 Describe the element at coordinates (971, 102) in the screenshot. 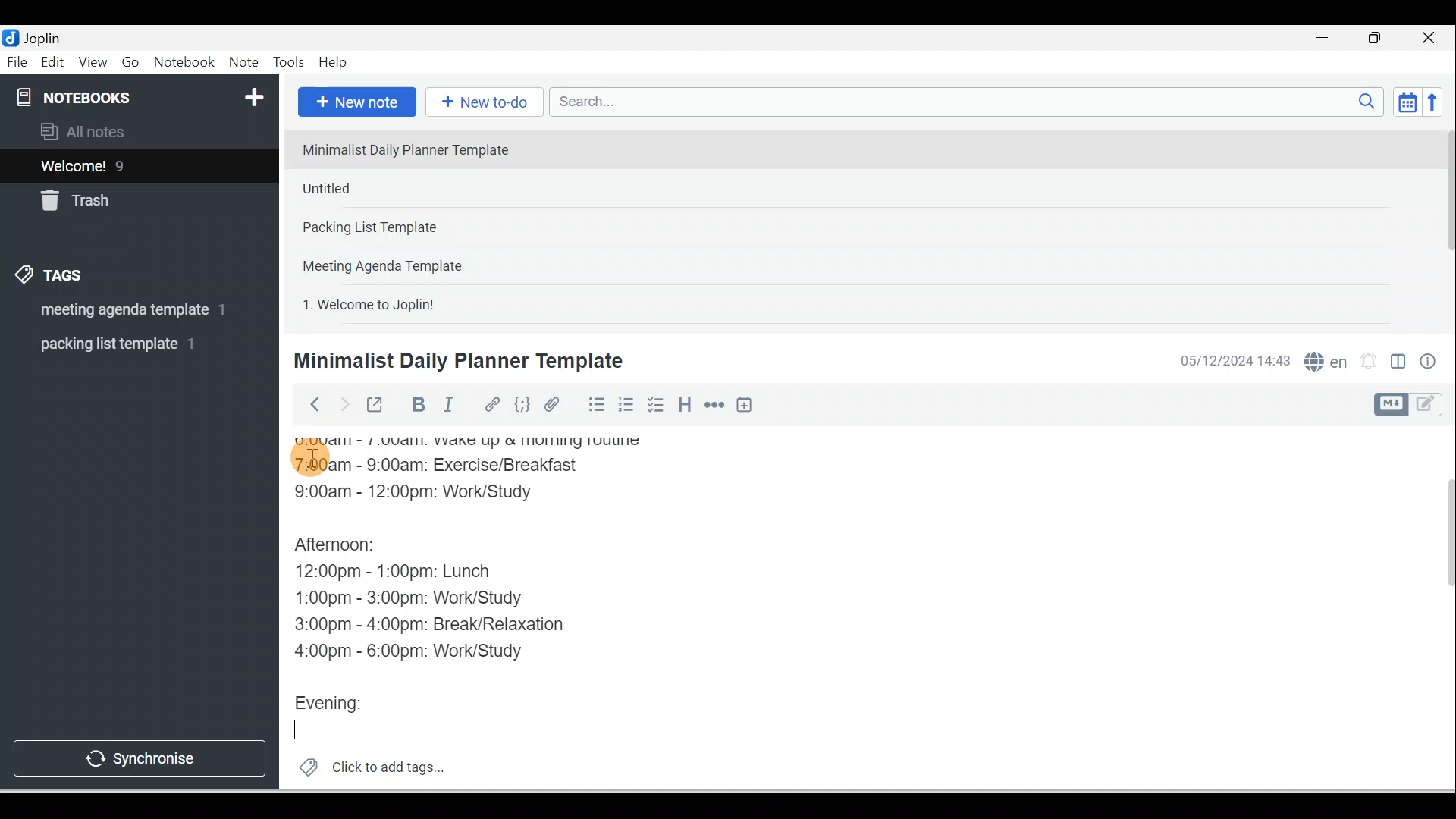

I see `Search bar` at that location.